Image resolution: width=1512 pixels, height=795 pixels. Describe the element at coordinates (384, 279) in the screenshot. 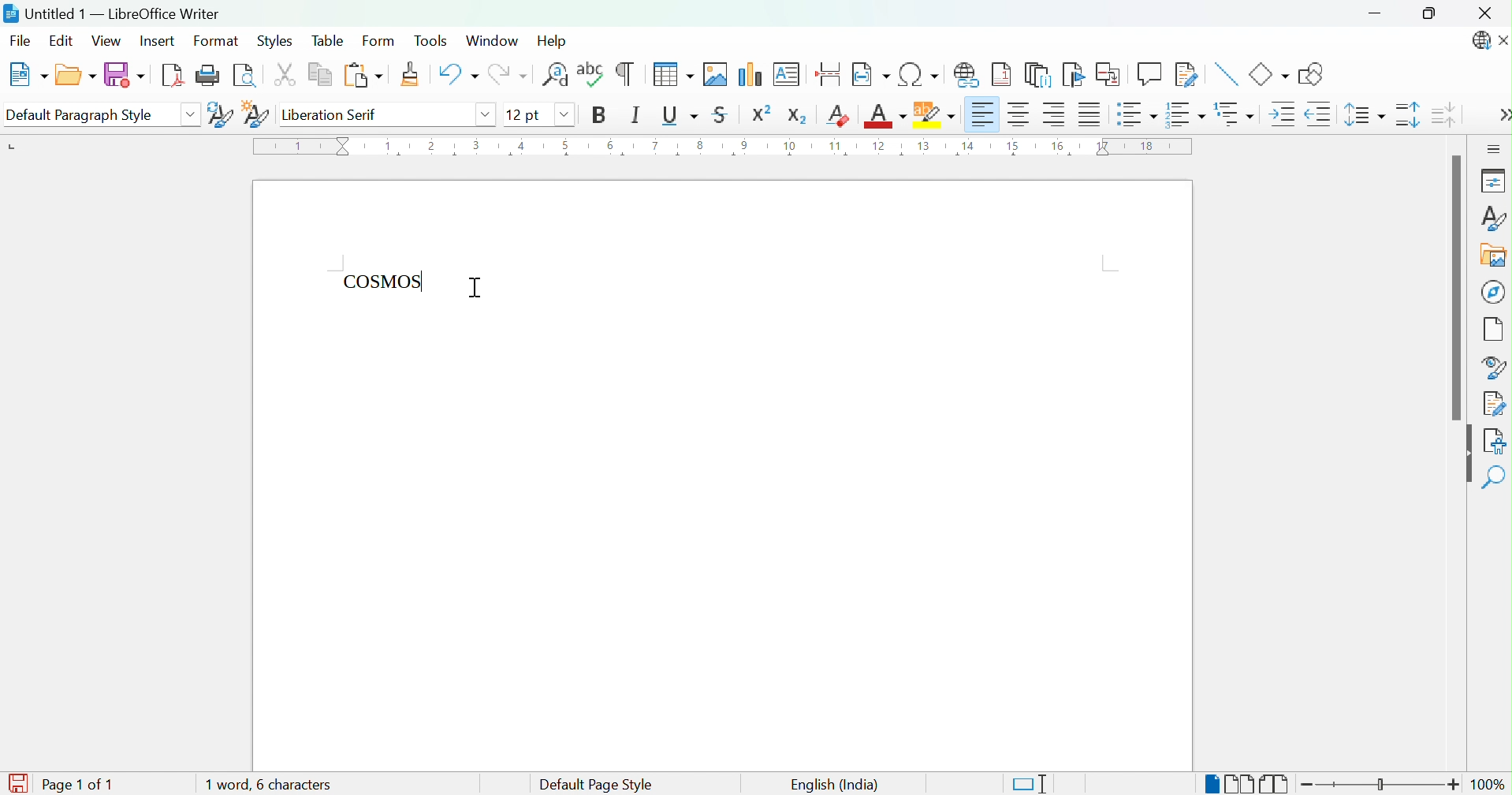

I see `COSMOS` at that location.